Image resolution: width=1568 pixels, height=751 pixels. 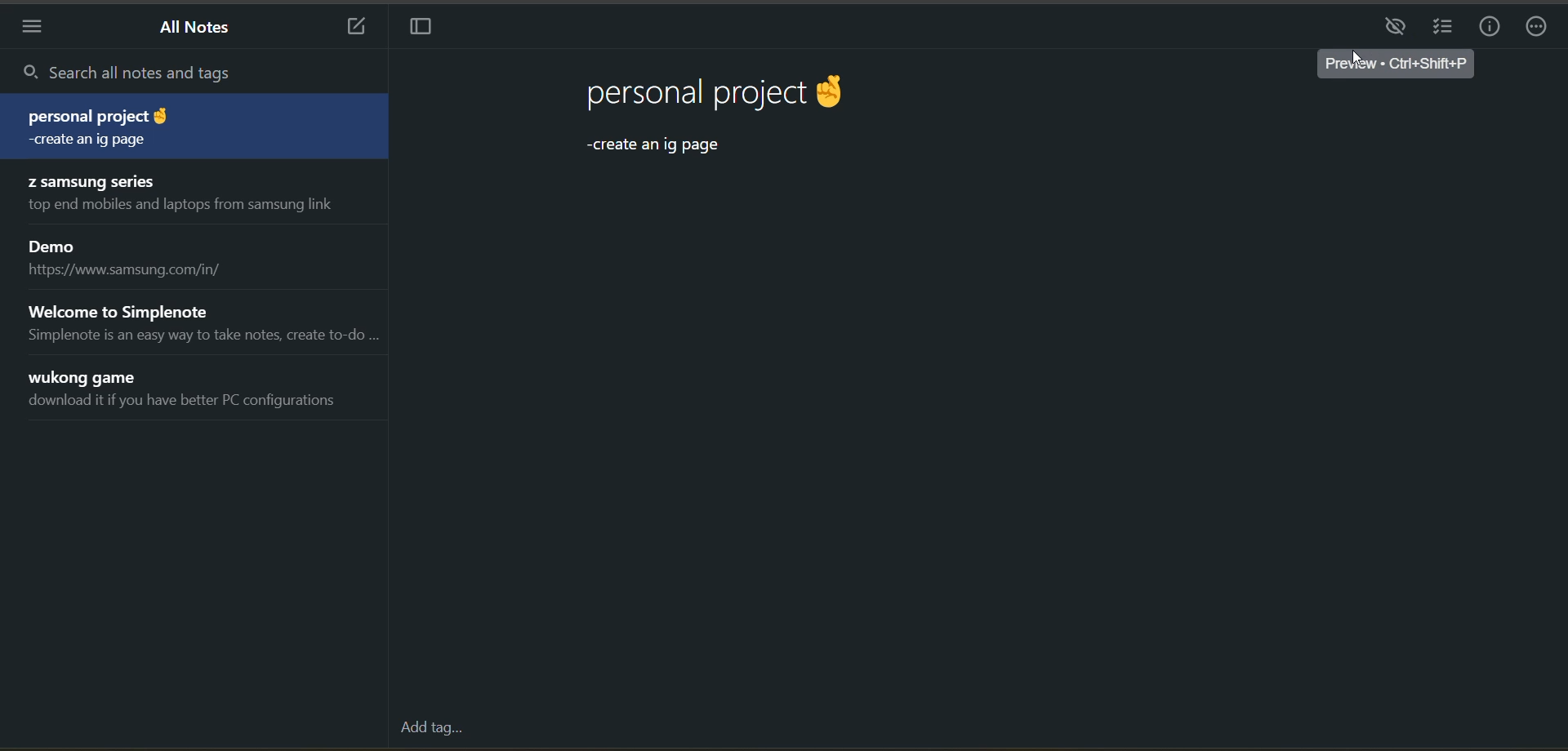 I want to click on edit, so click(x=1399, y=27).